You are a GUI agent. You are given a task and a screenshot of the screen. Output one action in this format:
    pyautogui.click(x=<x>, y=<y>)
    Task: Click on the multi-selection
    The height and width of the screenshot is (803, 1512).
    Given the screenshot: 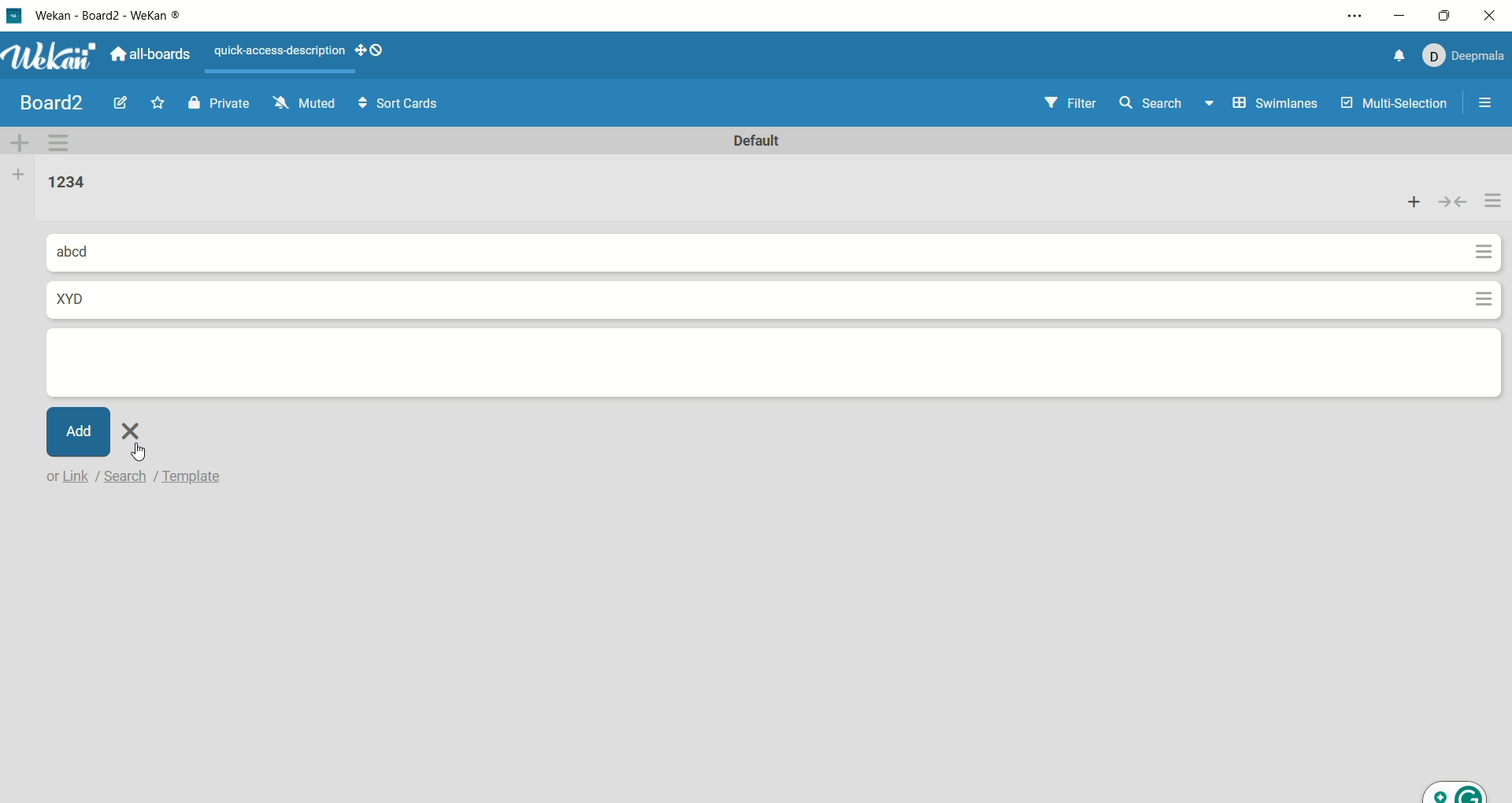 What is the action you would take?
    pyautogui.click(x=1395, y=105)
    